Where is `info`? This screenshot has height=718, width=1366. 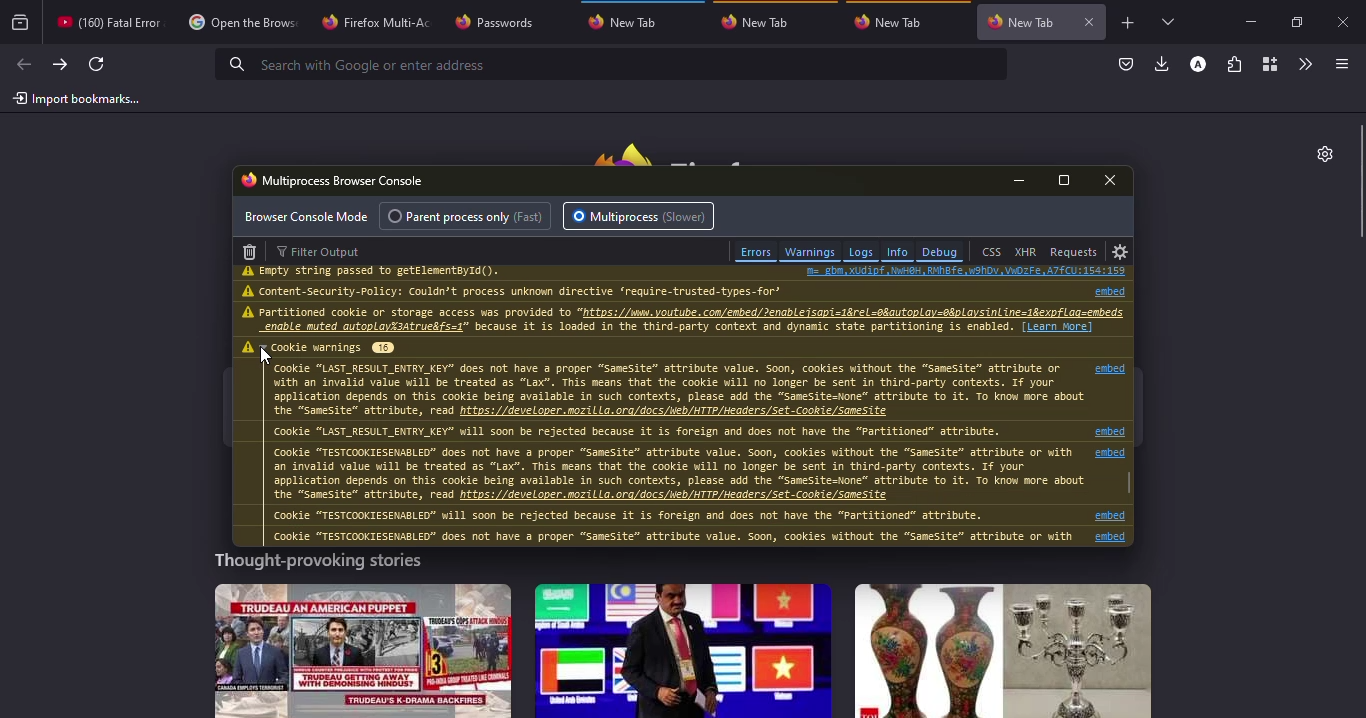
info is located at coordinates (383, 272).